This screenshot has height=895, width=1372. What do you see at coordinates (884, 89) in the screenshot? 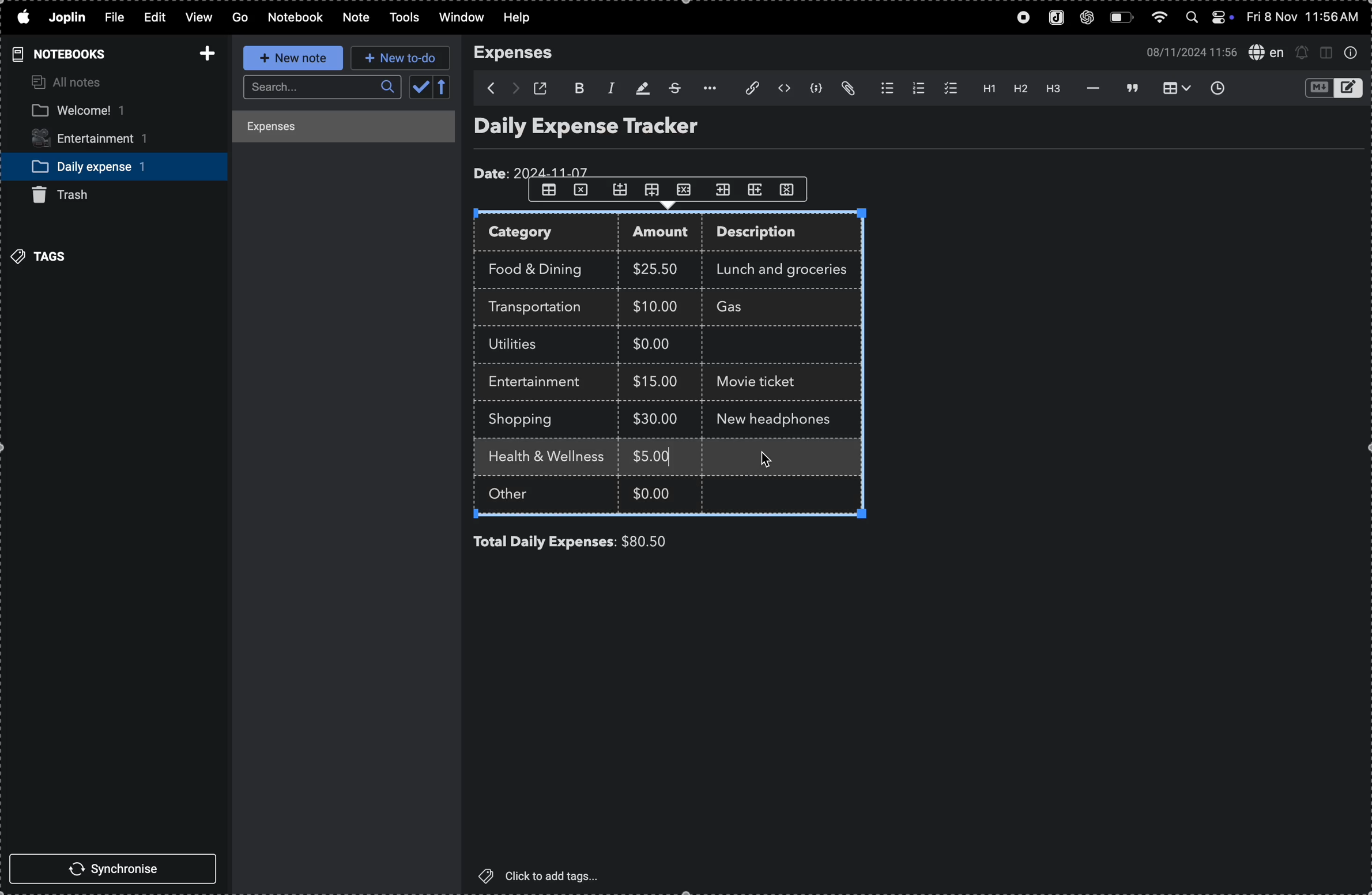
I see `bulletlist` at bounding box center [884, 89].